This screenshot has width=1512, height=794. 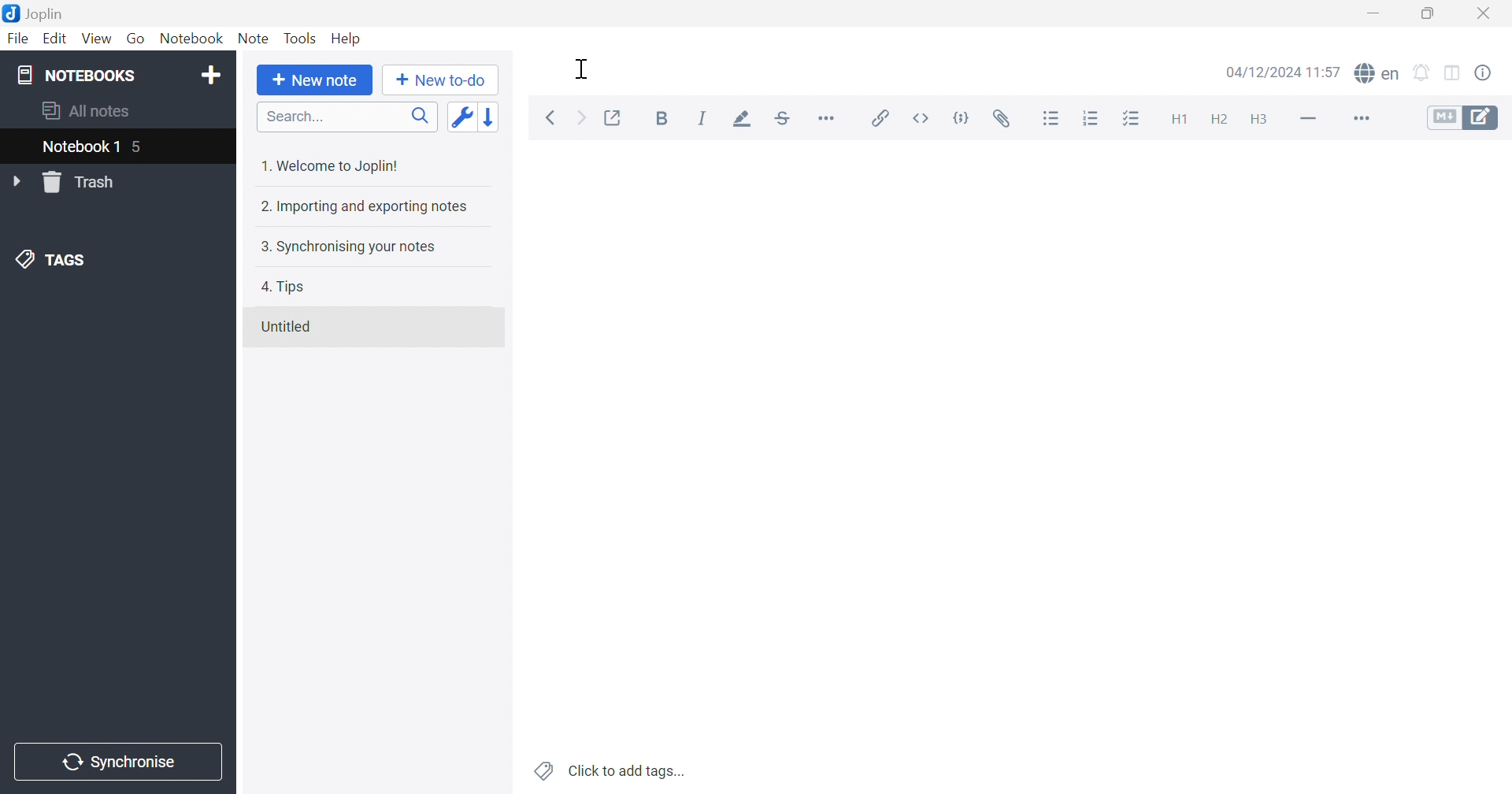 What do you see at coordinates (1136, 118) in the screenshot?
I see `Checkbox list` at bounding box center [1136, 118].